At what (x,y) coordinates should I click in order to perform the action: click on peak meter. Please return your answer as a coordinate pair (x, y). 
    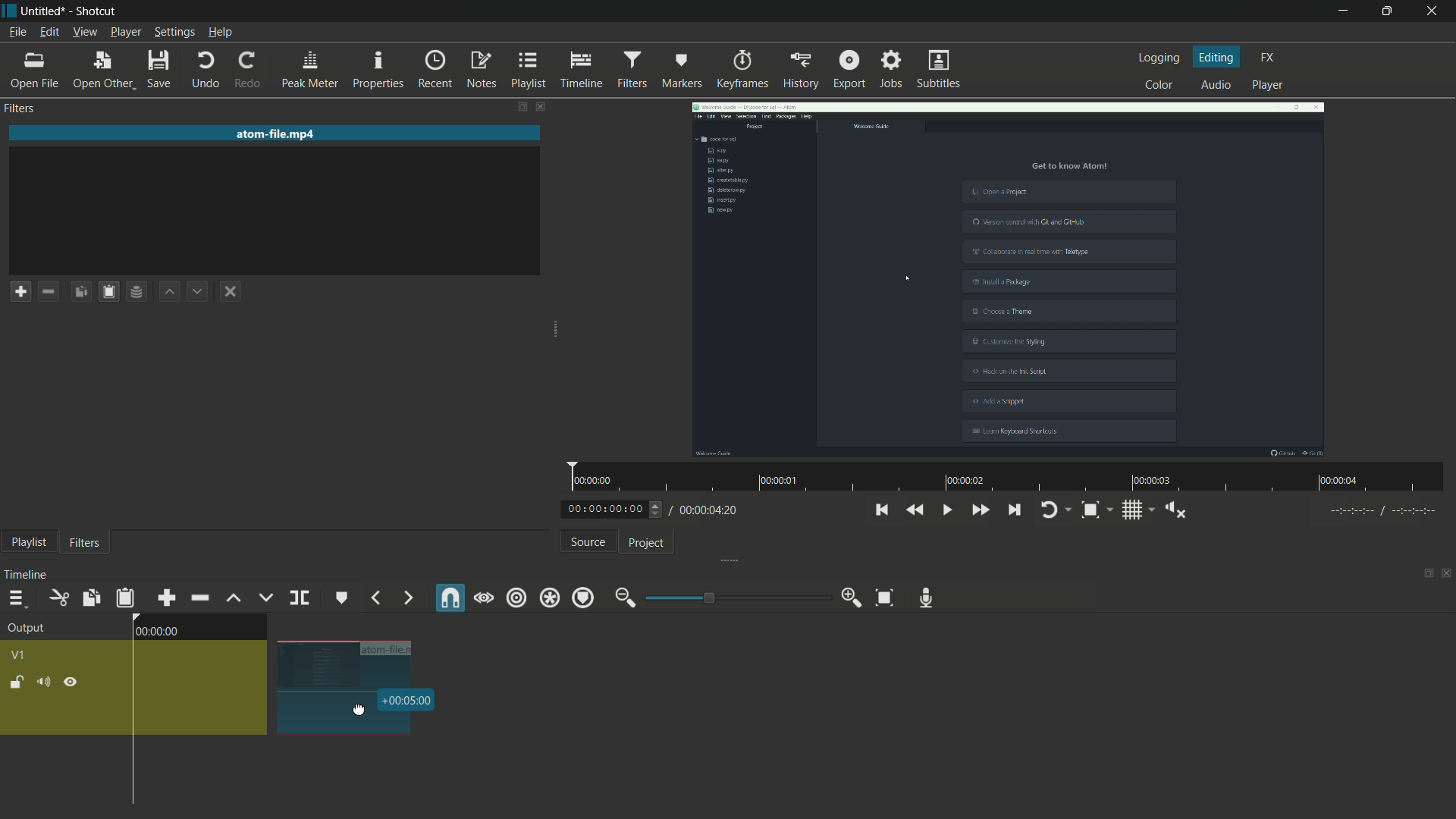
    Looking at the image, I should click on (308, 69).